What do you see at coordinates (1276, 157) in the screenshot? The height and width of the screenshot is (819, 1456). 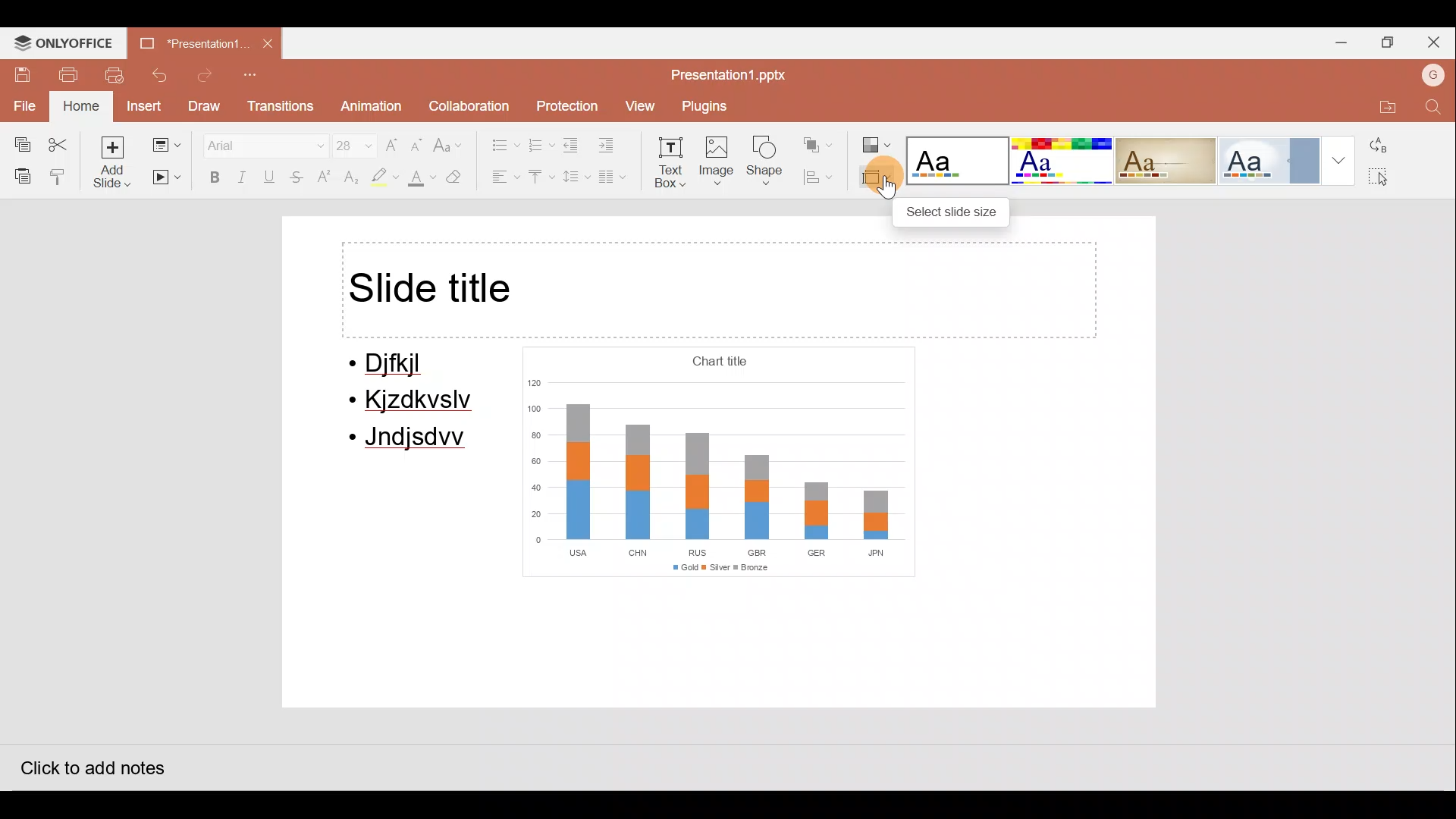 I see `Theme 4` at bounding box center [1276, 157].